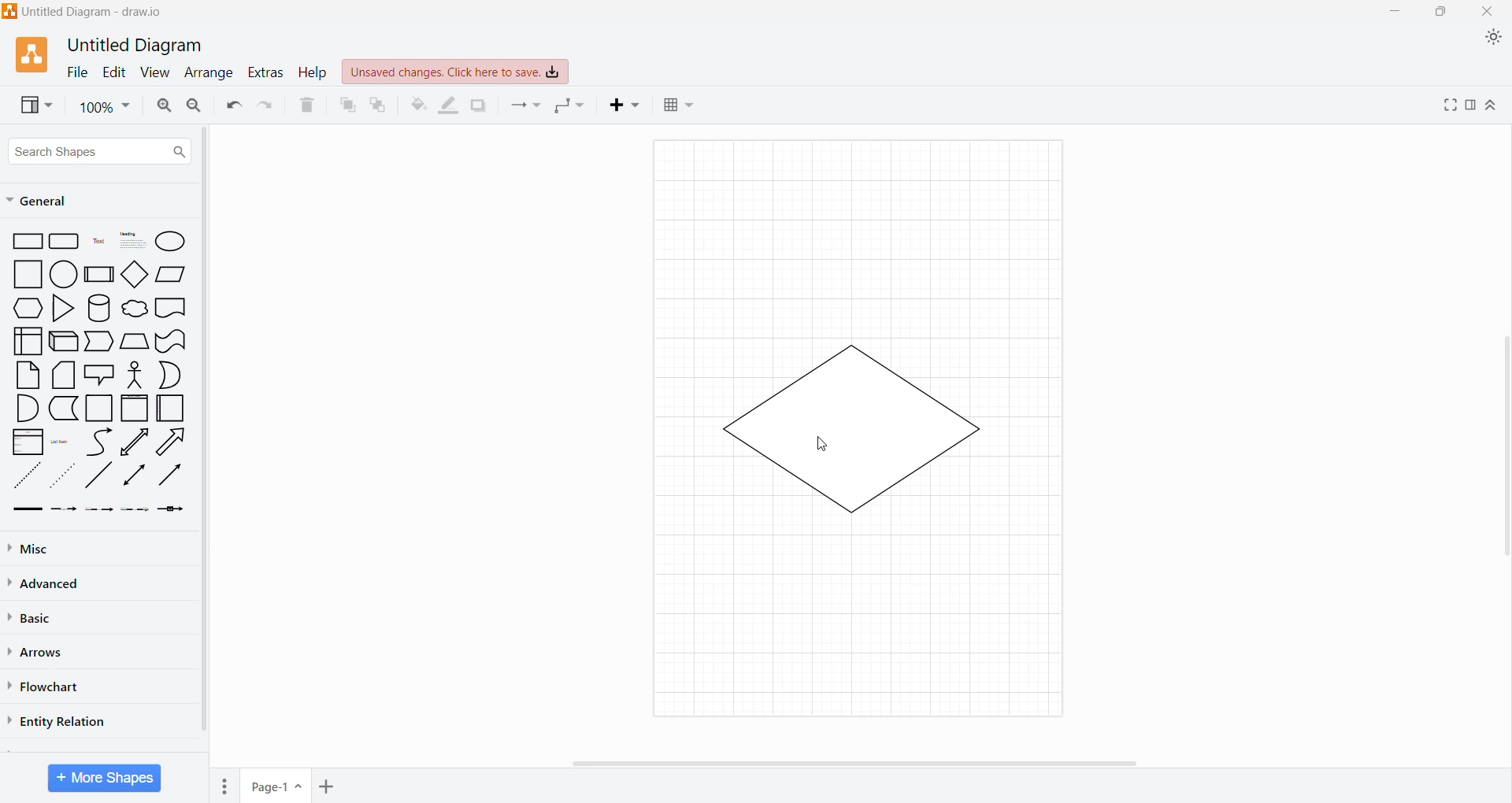 Image resolution: width=1512 pixels, height=803 pixels. I want to click on Basic, so click(35, 616).